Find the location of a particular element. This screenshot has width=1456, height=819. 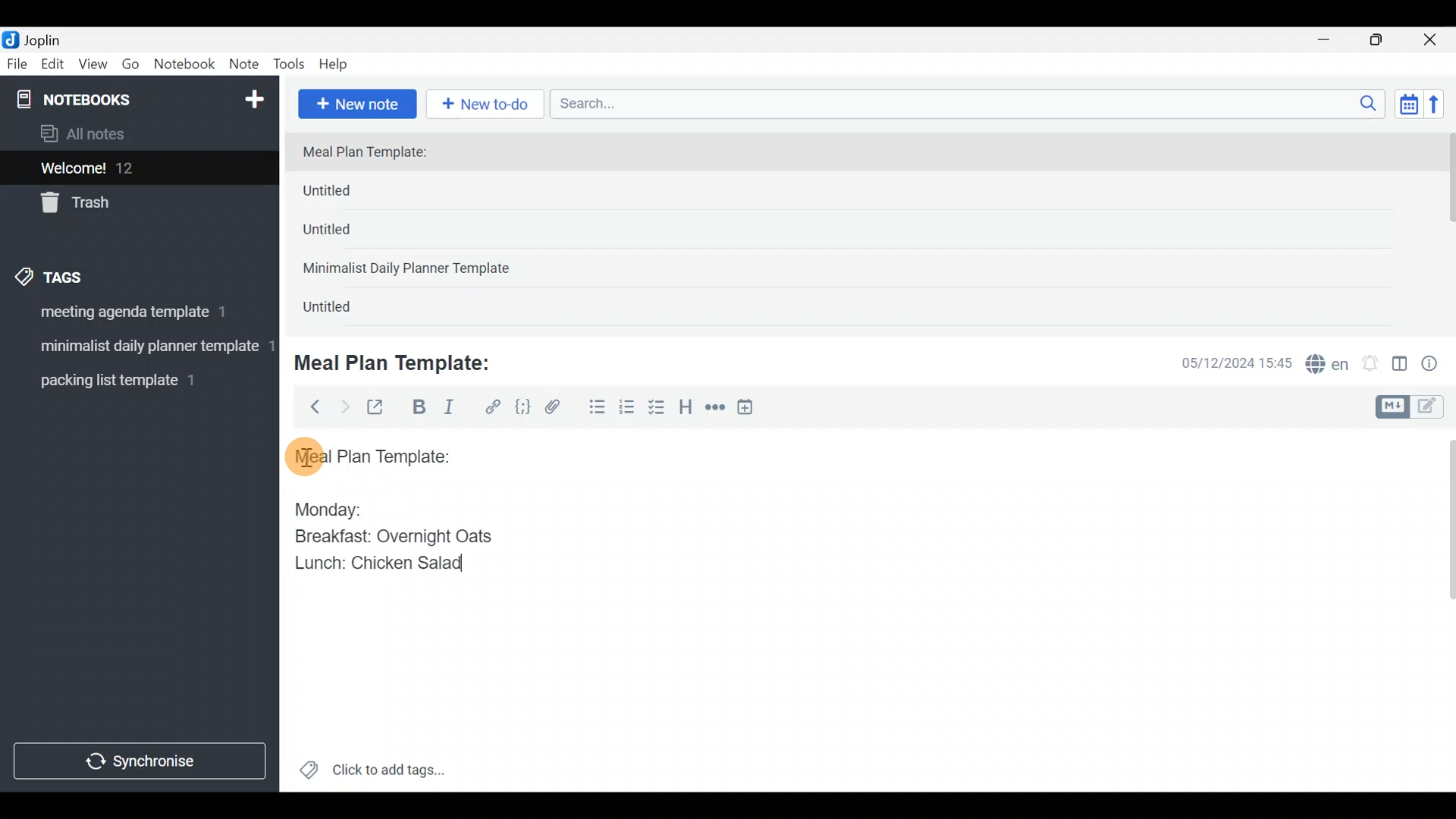

Bold is located at coordinates (418, 409).